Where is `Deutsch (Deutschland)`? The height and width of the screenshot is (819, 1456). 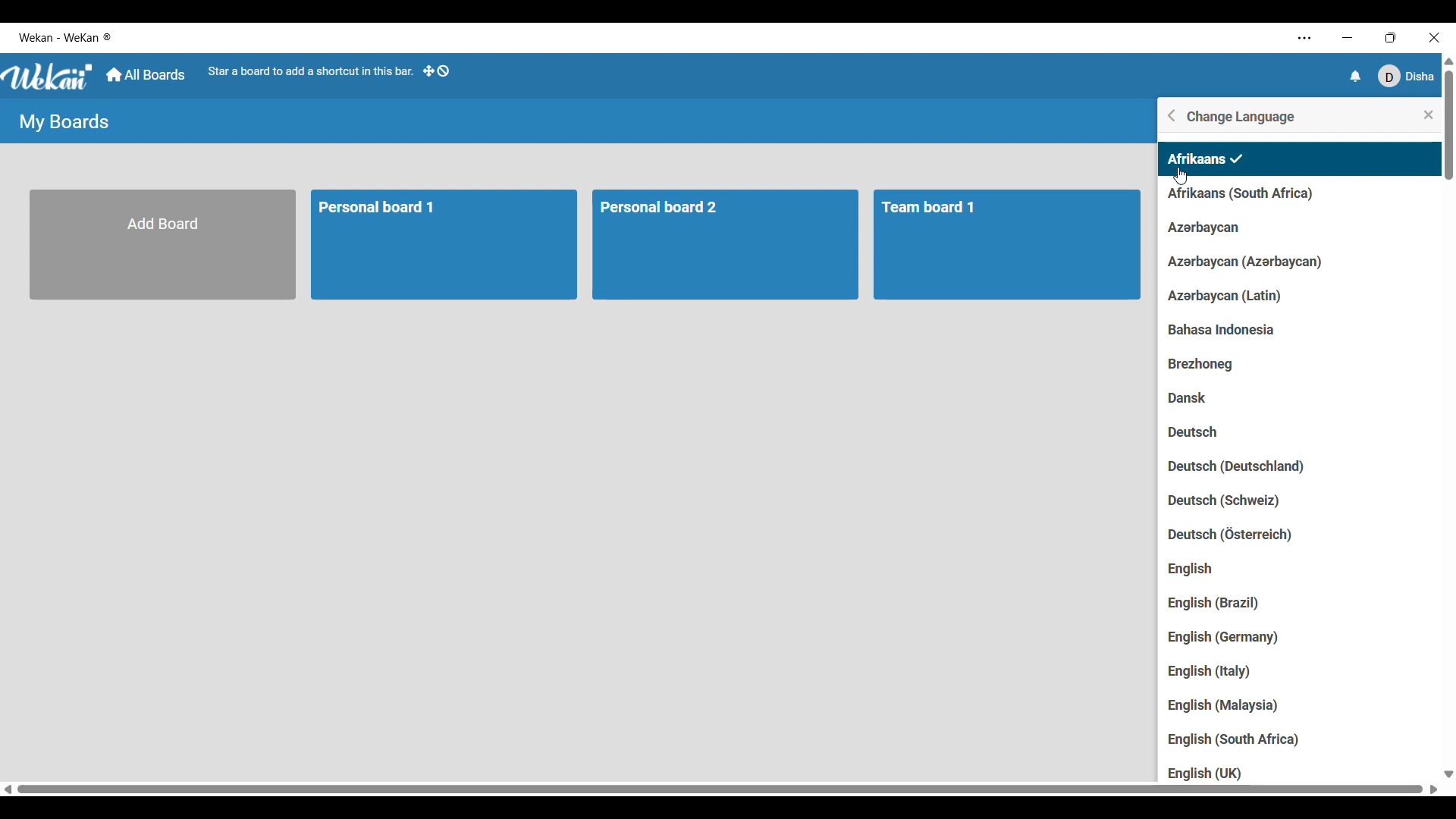
Deutsch (Deutschland) is located at coordinates (1241, 468).